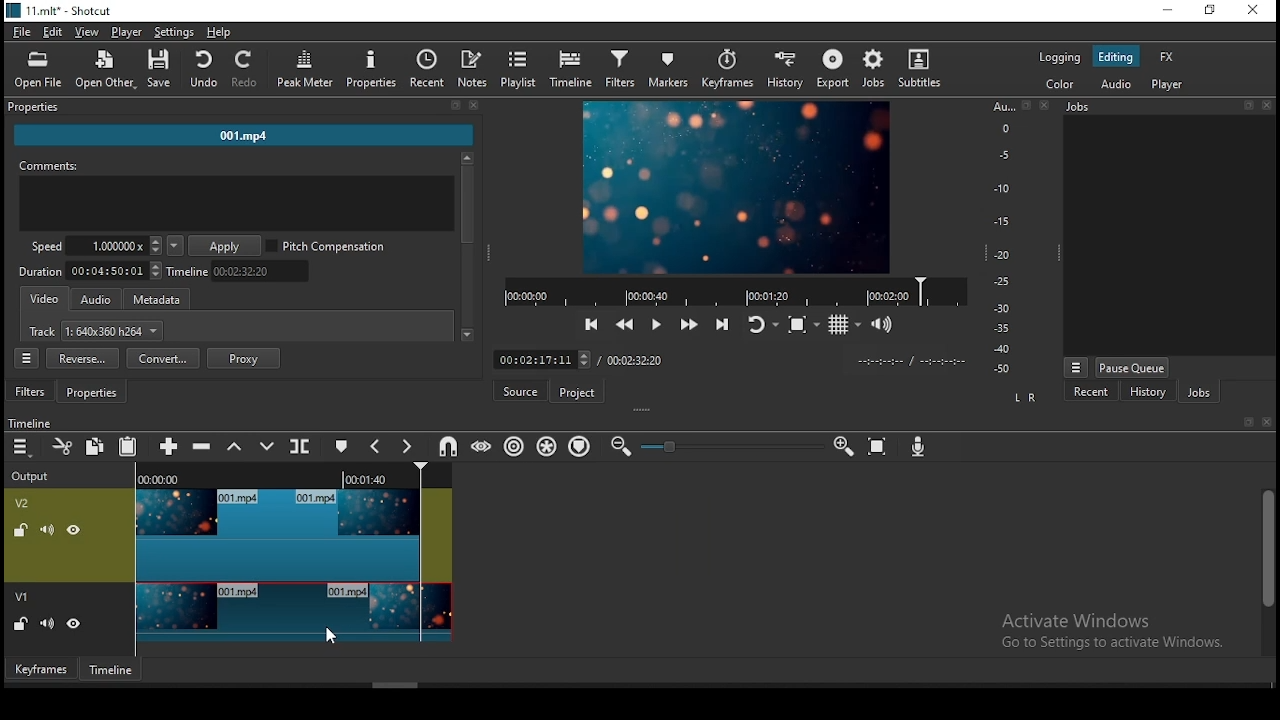  I want to click on video, so click(46, 300).